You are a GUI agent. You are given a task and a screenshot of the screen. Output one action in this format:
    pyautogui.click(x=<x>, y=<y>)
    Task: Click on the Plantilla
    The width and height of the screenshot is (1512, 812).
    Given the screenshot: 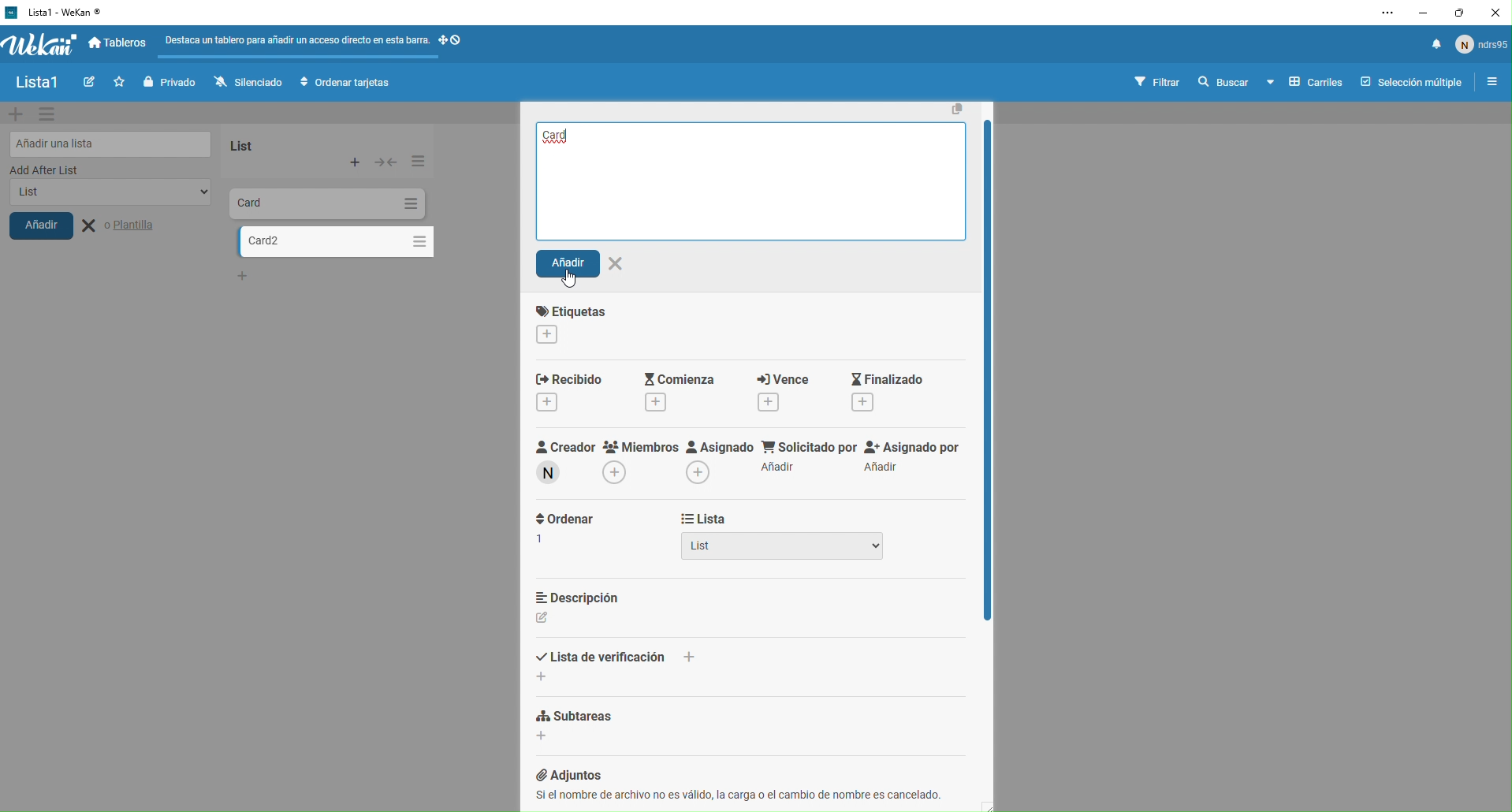 What is the action you would take?
    pyautogui.click(x=131, y=226)
    